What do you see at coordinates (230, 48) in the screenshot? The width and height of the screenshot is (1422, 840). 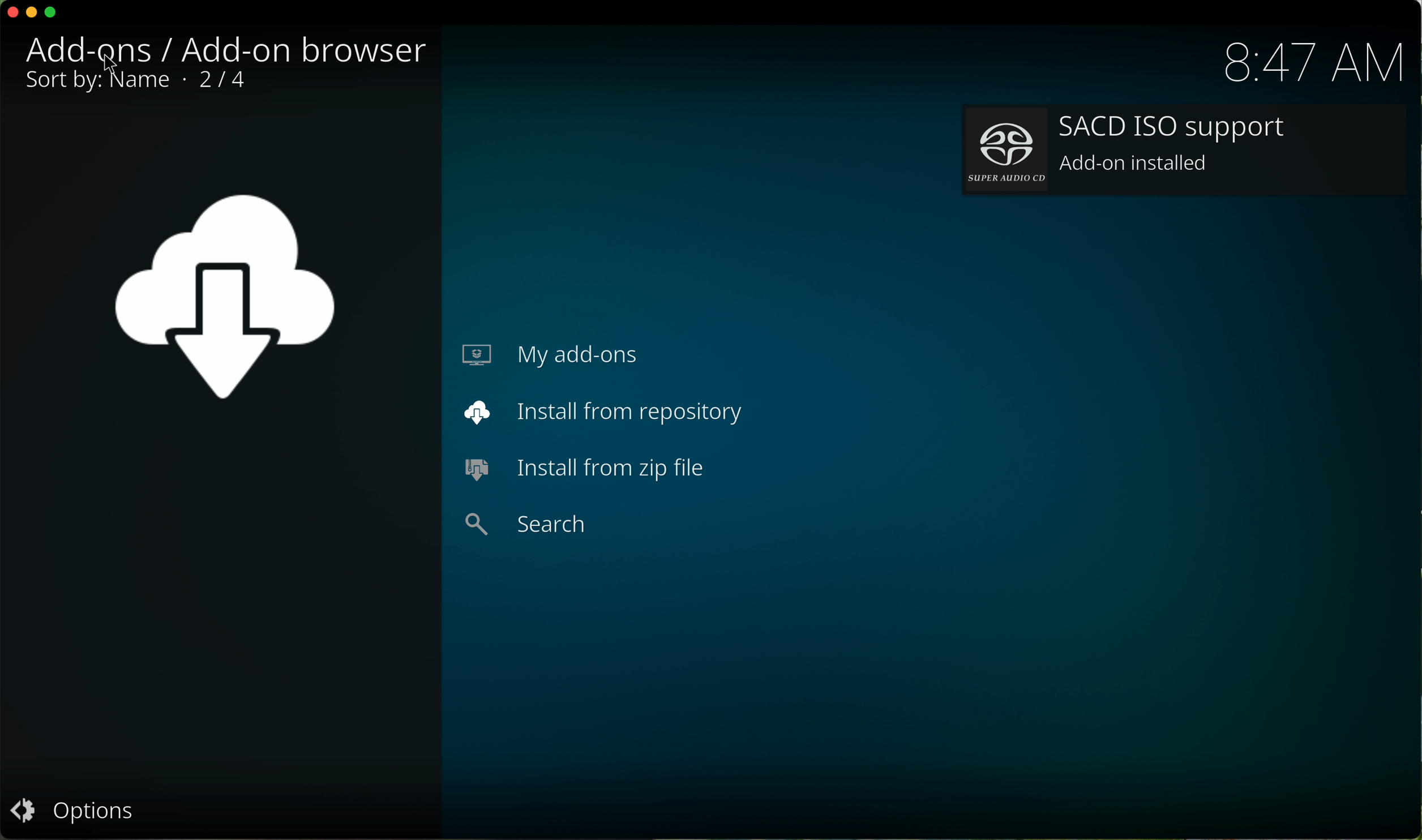 I see `audio decoders` at bounding box center [230, 48].